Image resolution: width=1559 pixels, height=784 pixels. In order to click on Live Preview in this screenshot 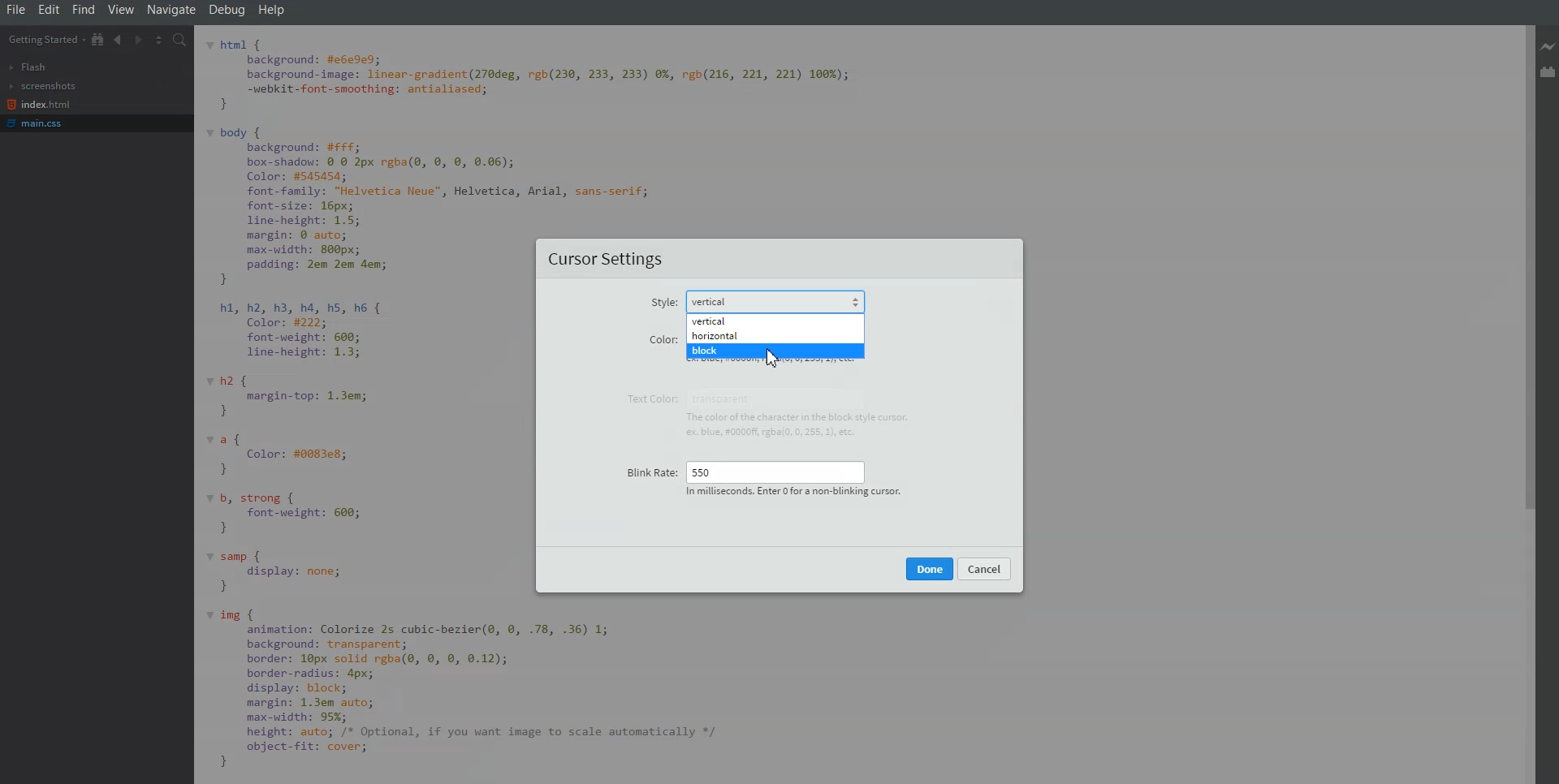, I will do `click(1549, 48)`.